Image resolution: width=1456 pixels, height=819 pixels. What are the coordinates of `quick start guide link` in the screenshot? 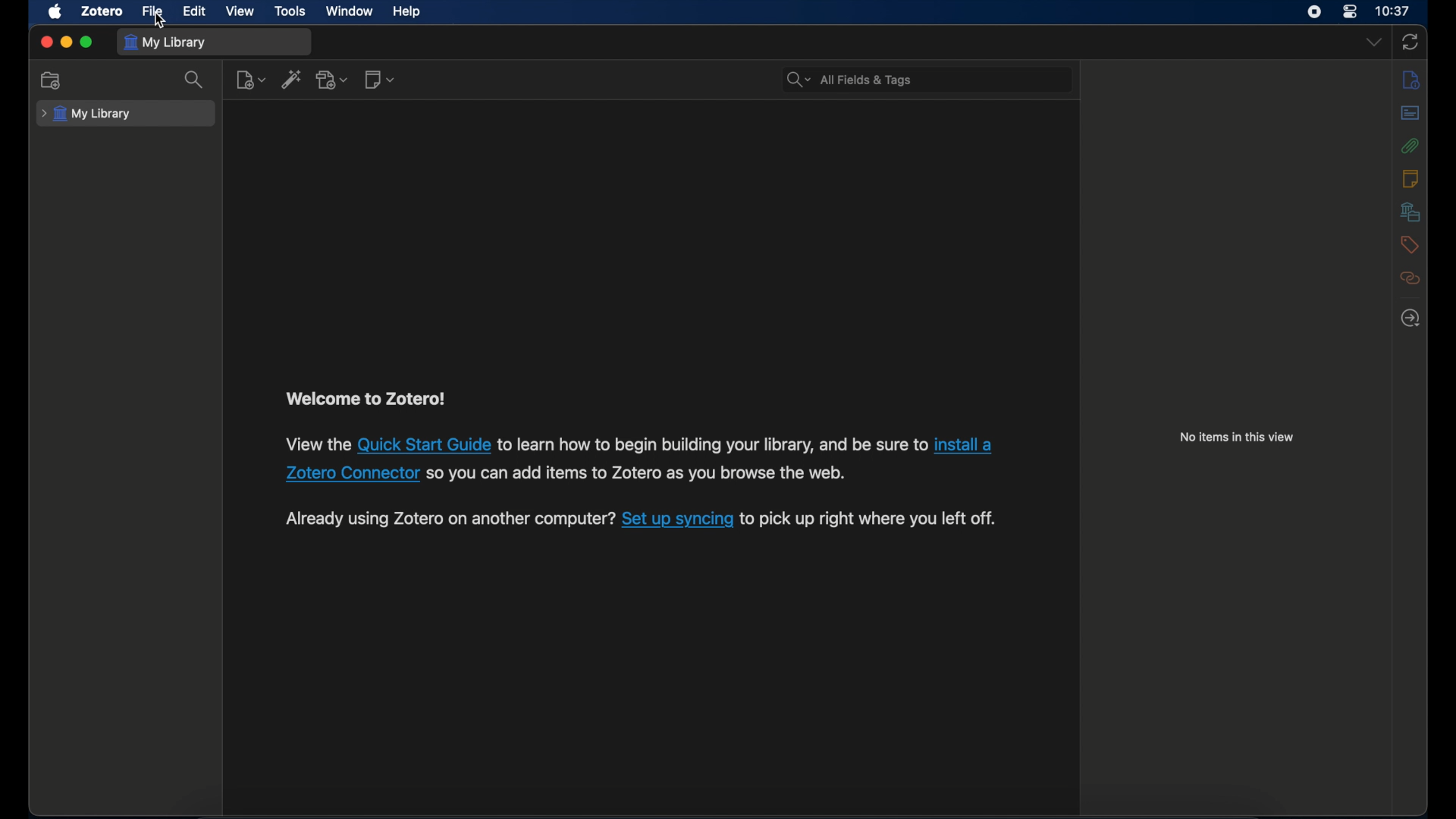 It's located at (425, 447).